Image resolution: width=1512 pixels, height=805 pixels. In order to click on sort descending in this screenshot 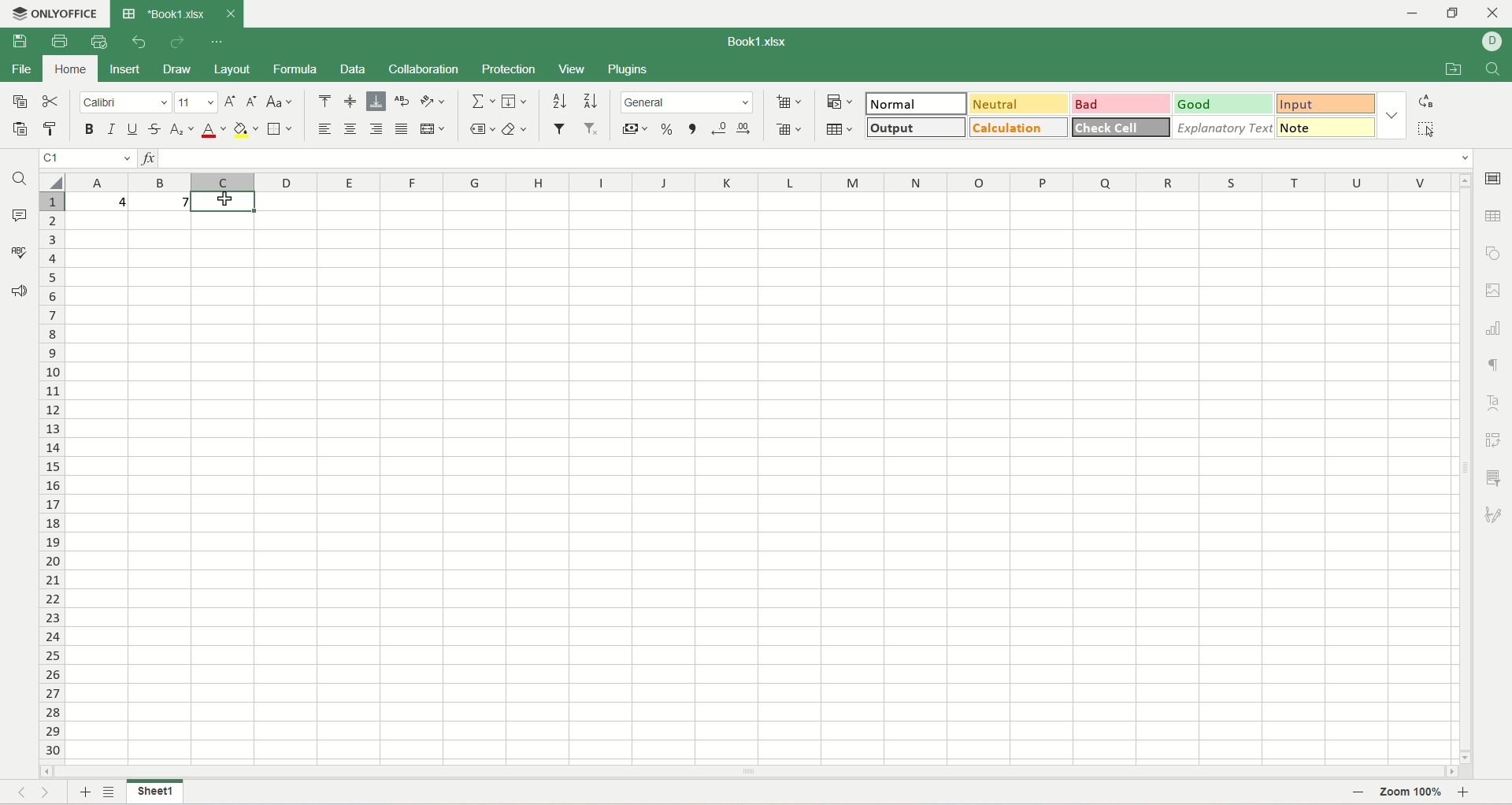, I will do `click(588, 101)`.